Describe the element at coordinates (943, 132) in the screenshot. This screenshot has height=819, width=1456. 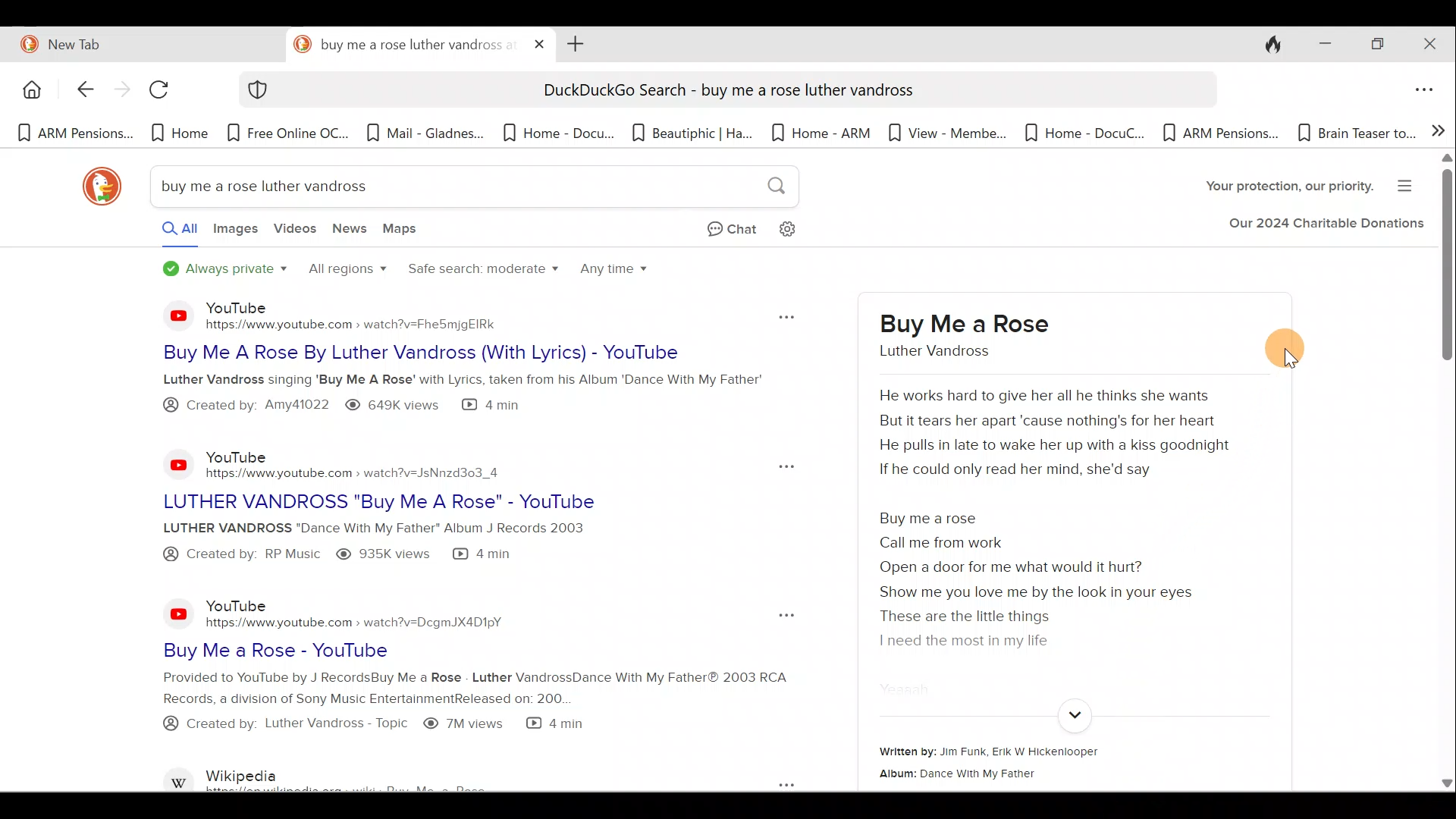
I see `Bookmark 8` at that location.